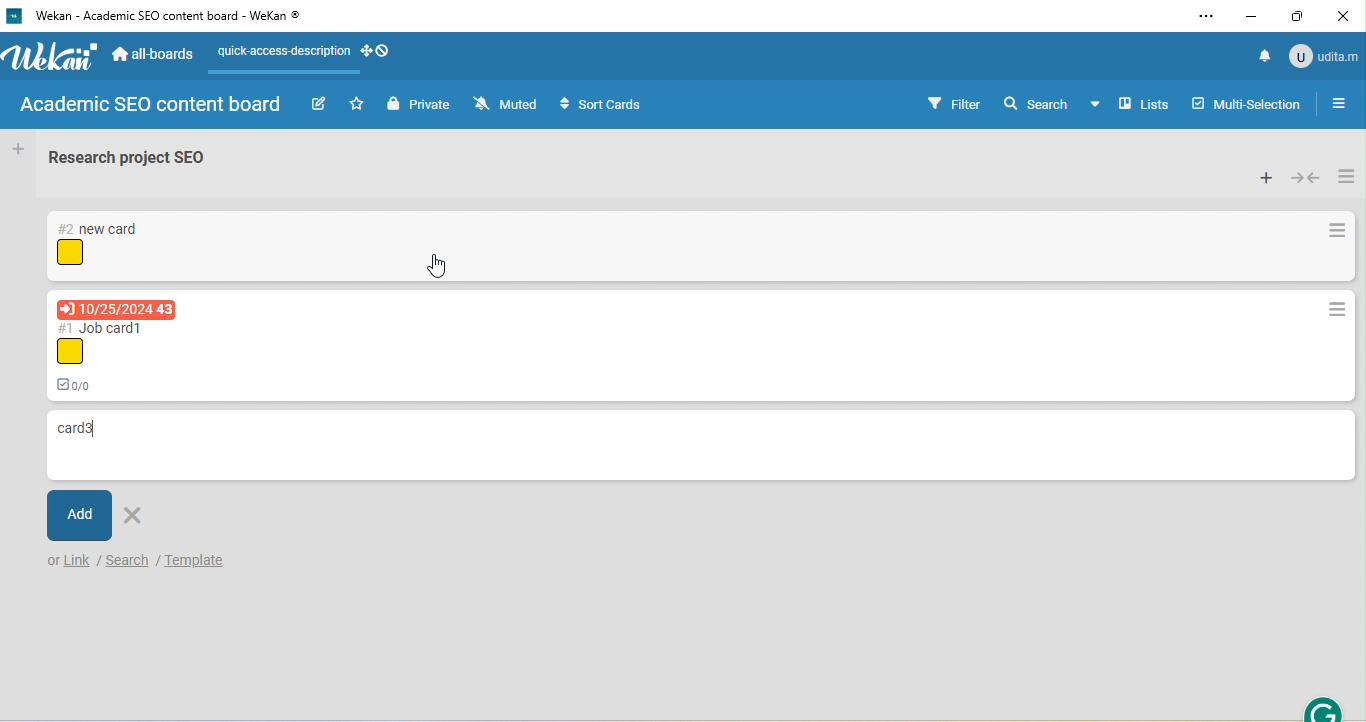 Image resolution: width=1366 pixels, height=722 pixels. I want to click on multi selection, so click(1249, 102).